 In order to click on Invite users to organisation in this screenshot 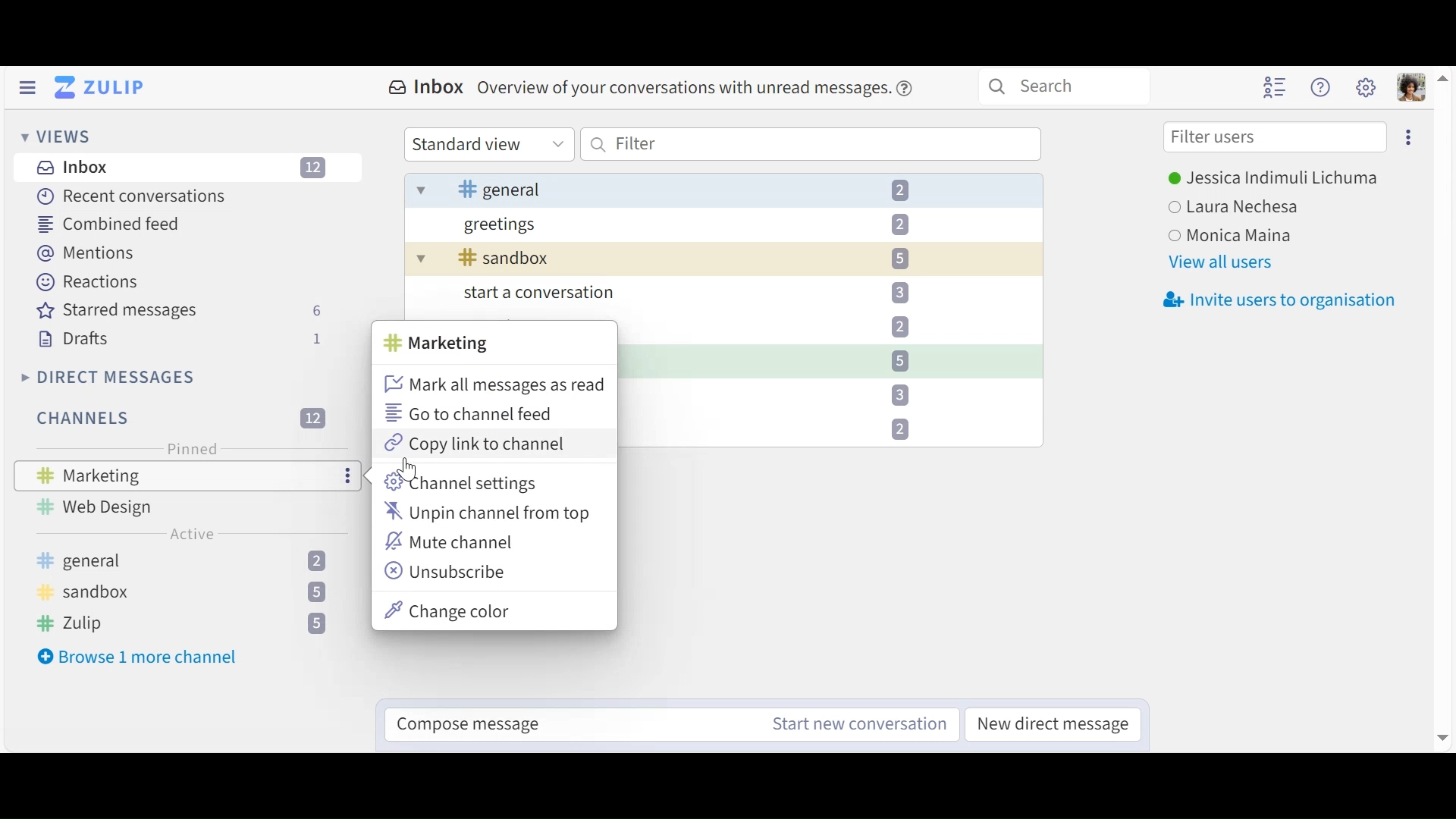, I will do `click(1282, 298)`.